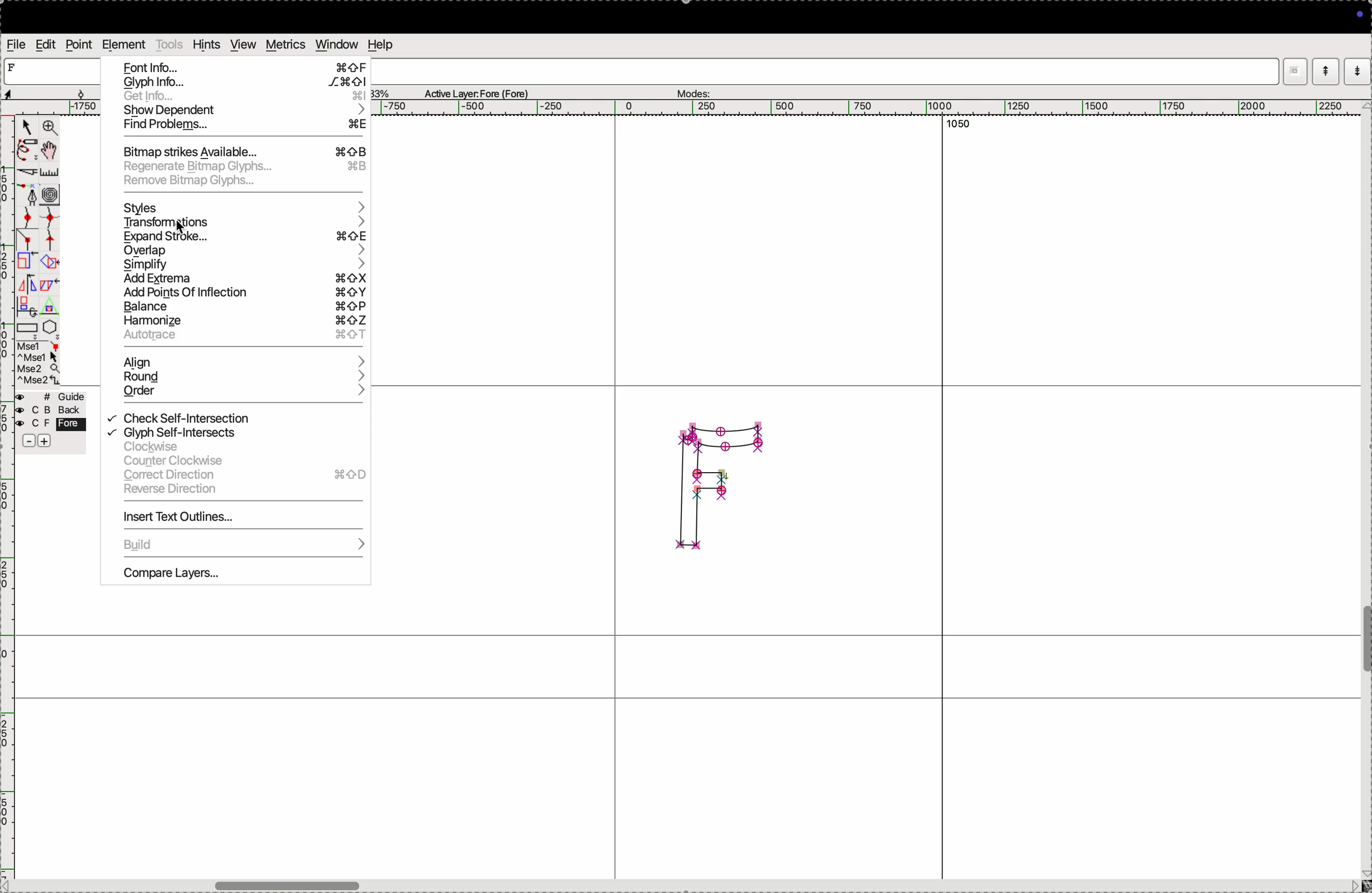 The image size is (1372, 893). What do you see at coordinates (244, 126) in the screenshot?
I see `find problems` at bounding box center [244, 126].